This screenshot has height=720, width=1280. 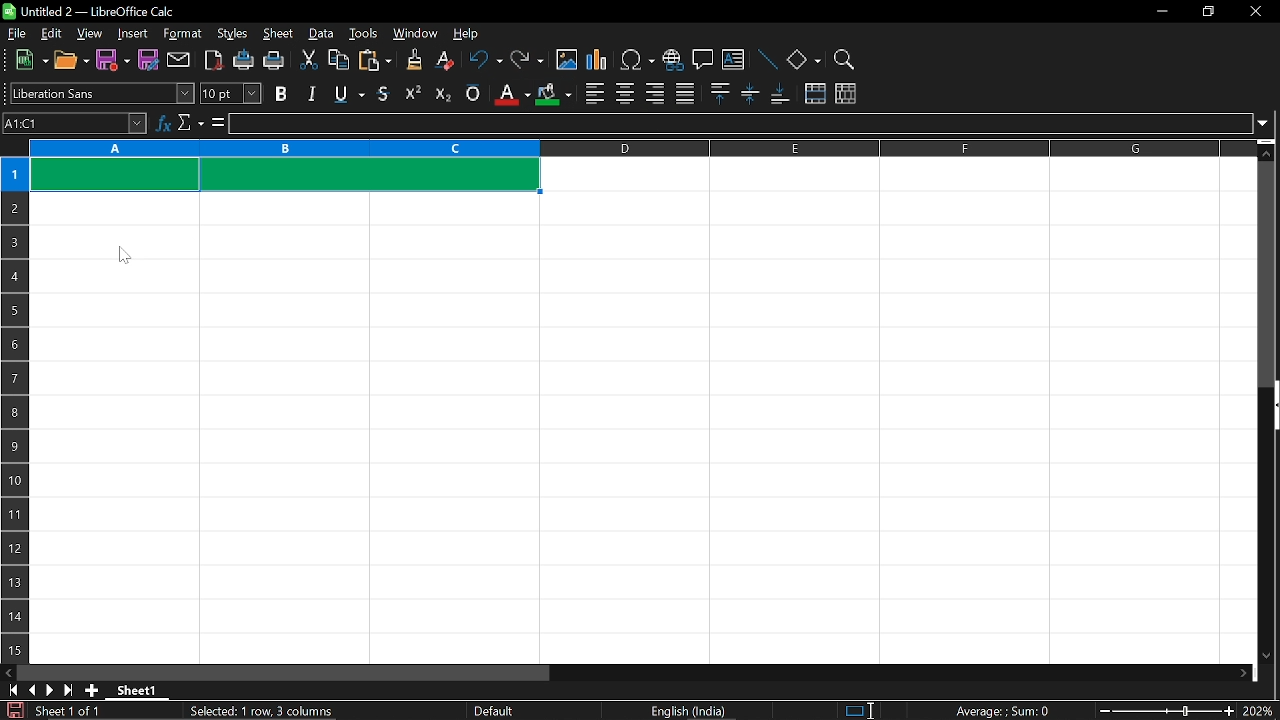 What do you see at coordinates (413, 93) in the screenshot?
I see `supercript` at bounding box center [413, 93].